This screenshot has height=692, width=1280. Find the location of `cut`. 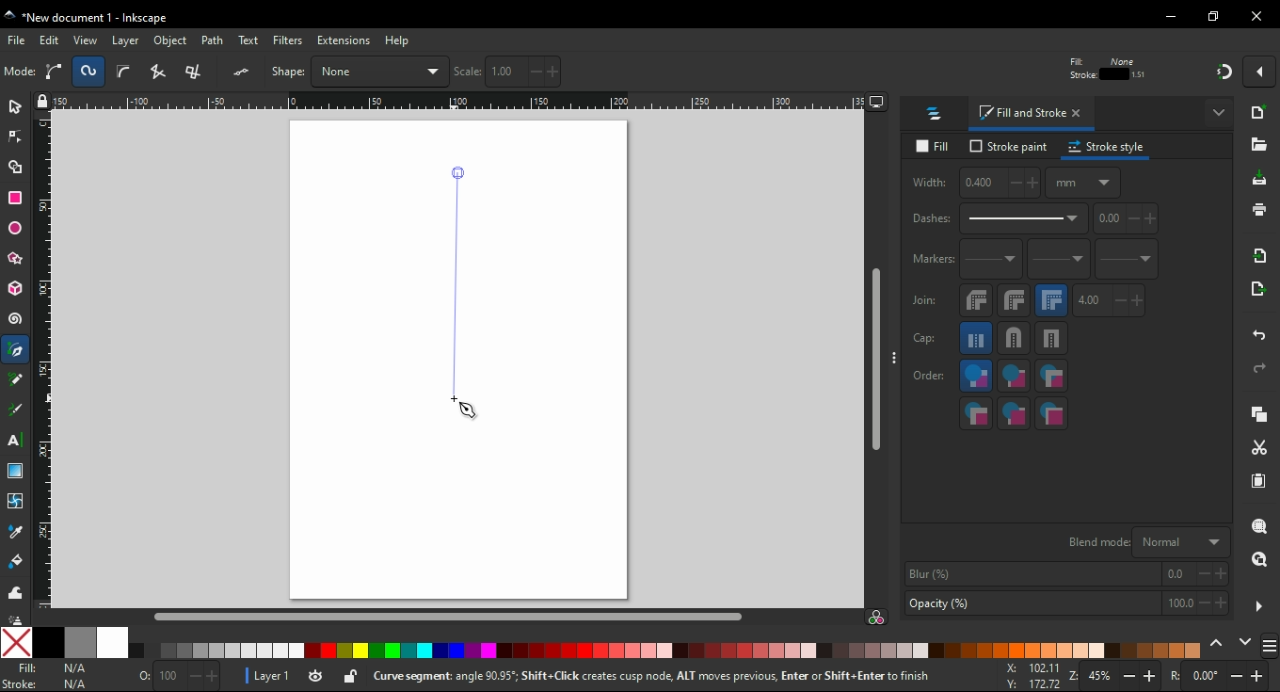

cut is located at coordinates (1258, 449).